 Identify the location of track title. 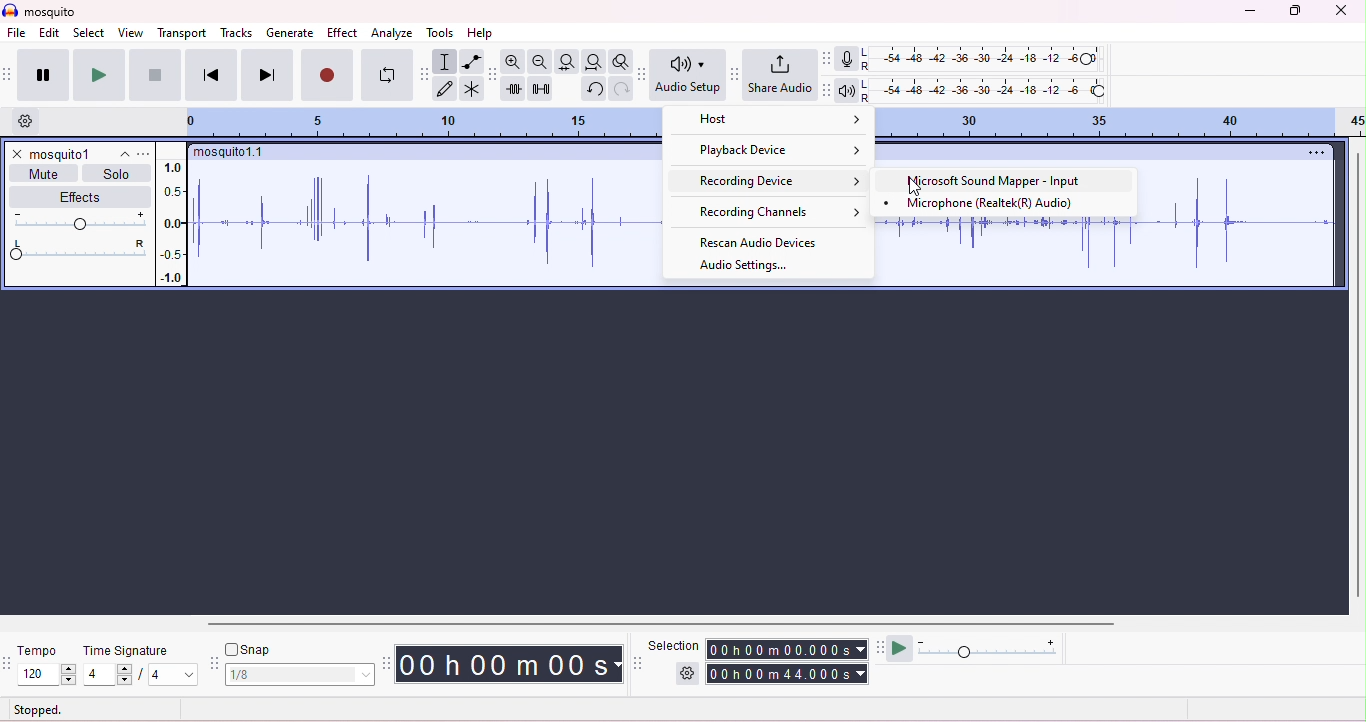
(79, 154).